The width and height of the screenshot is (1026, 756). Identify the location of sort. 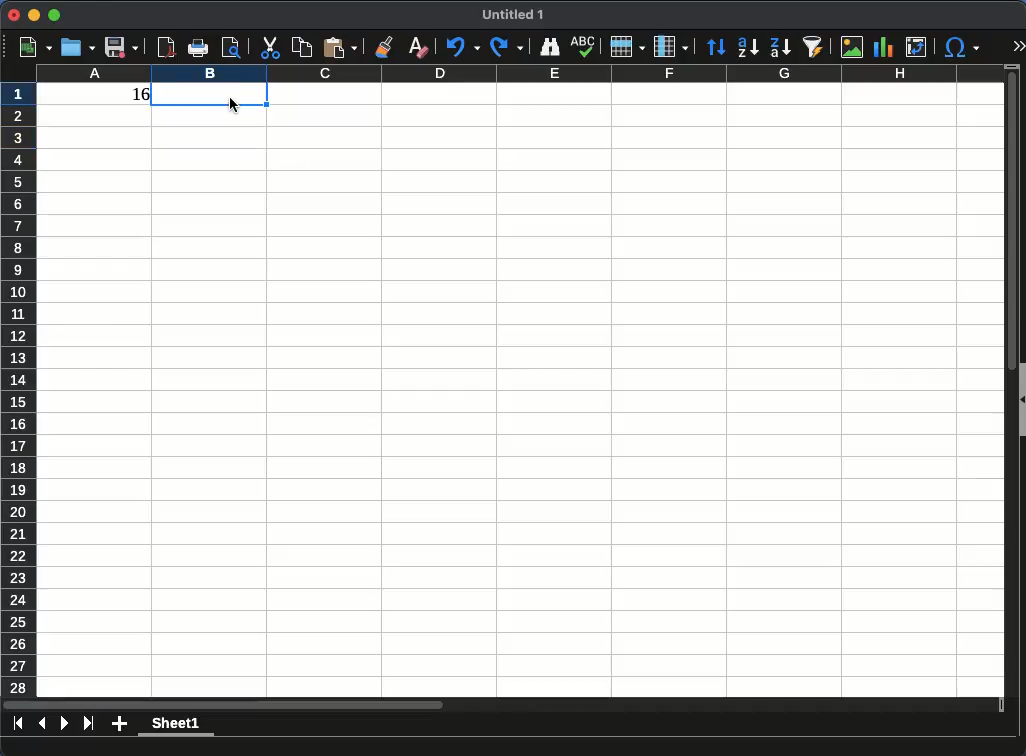
(716, 47).